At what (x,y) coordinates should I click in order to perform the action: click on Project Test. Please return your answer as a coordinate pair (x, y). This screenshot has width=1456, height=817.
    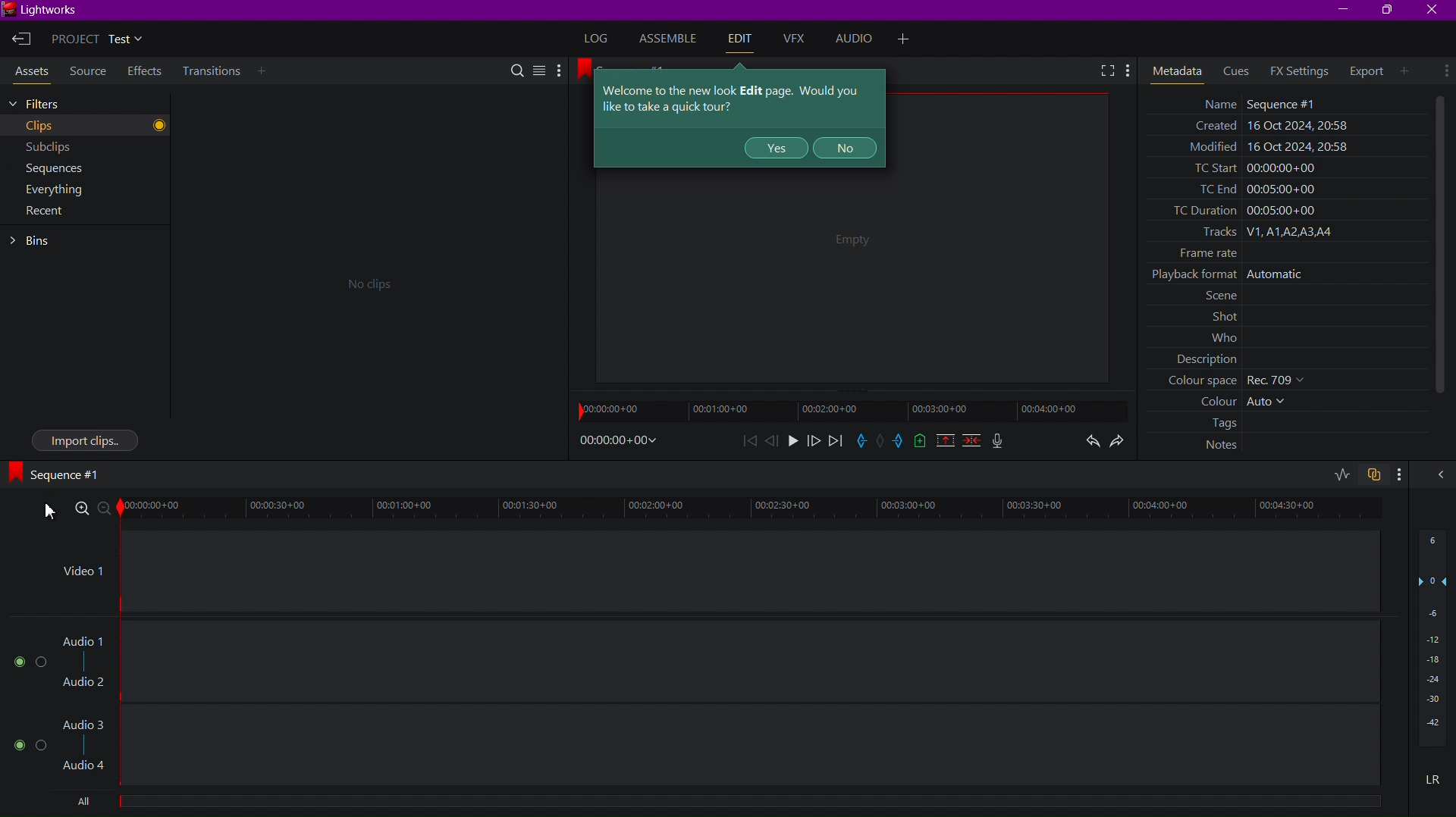
    Looking at the image, I should click on (99, 36).